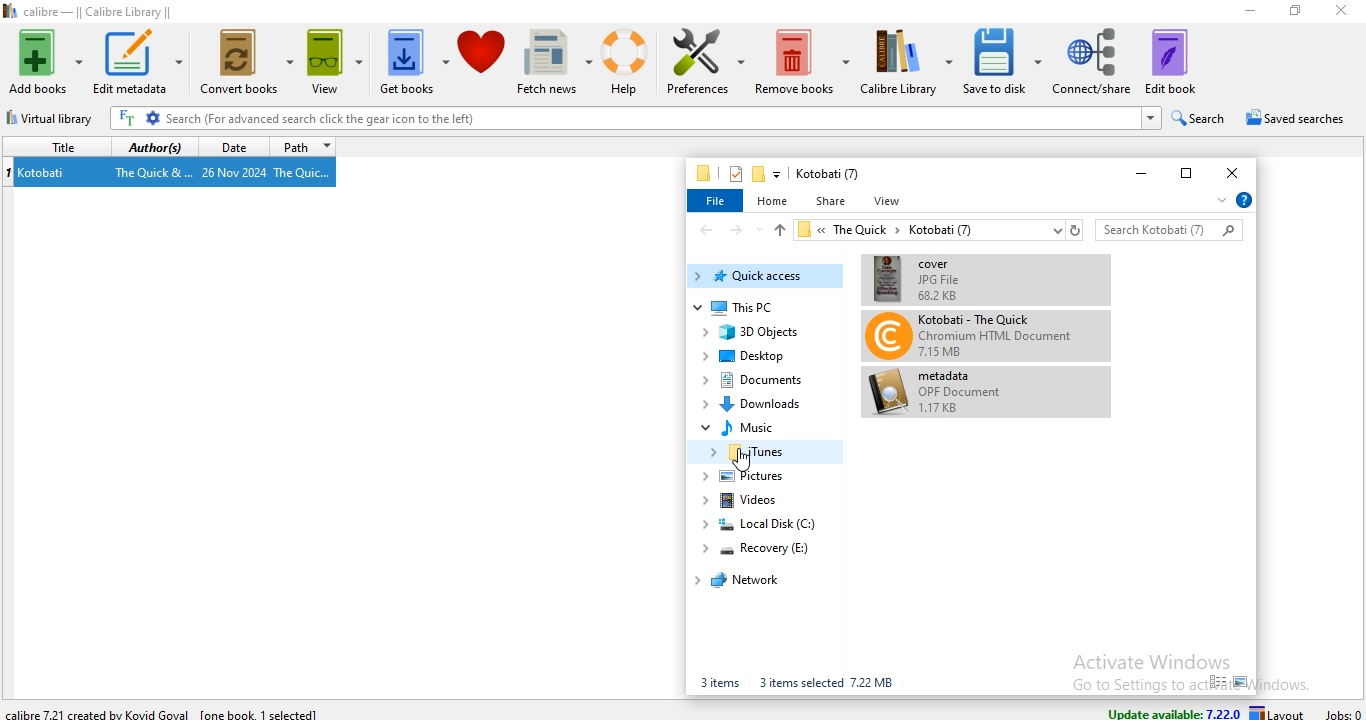 The image size is (1366, 720). Describe the element at coordinates (303, 147) in the screenshot. I see `path` at that location.